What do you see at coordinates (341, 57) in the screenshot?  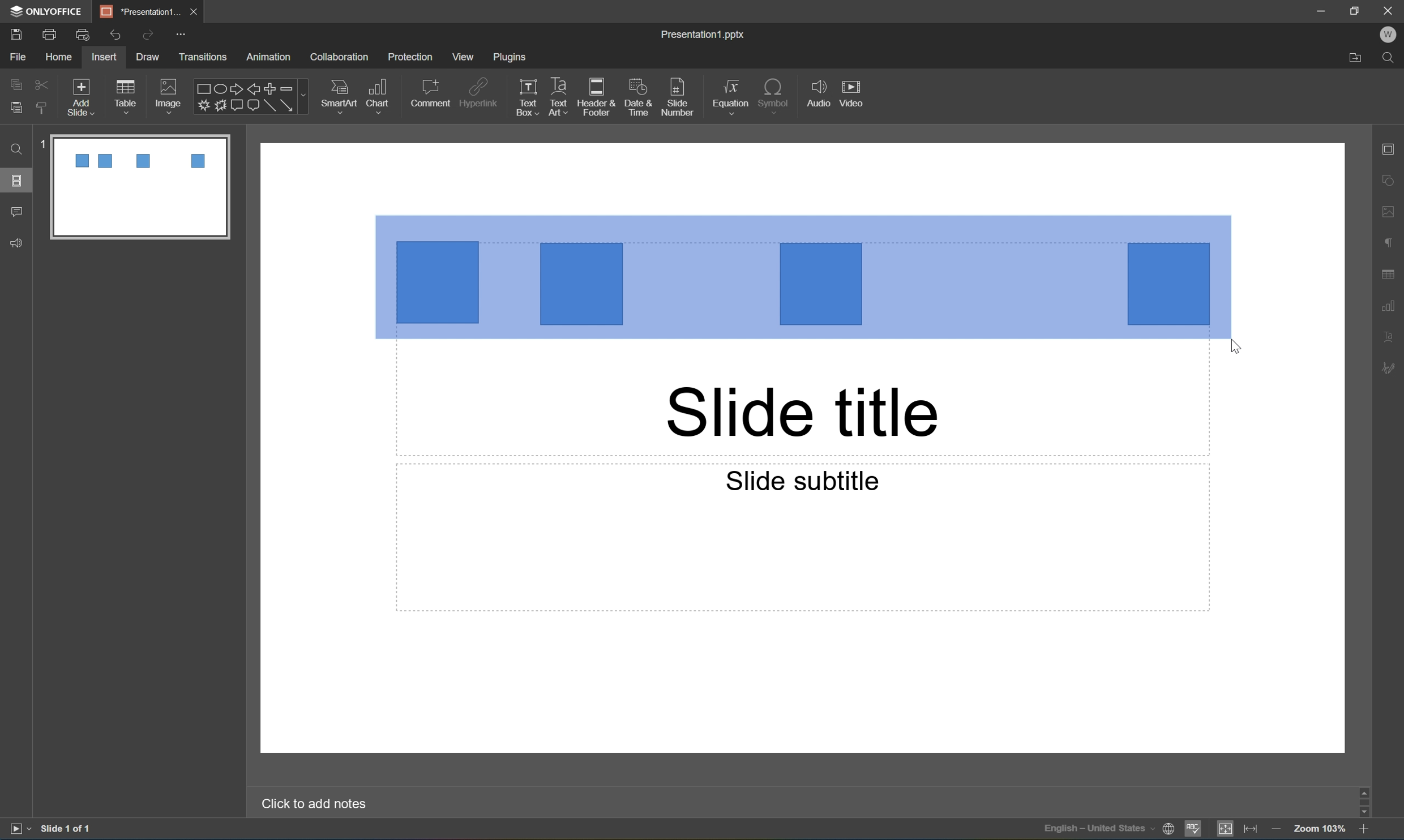 I see `collaboration` at bounding box center [341, 57].